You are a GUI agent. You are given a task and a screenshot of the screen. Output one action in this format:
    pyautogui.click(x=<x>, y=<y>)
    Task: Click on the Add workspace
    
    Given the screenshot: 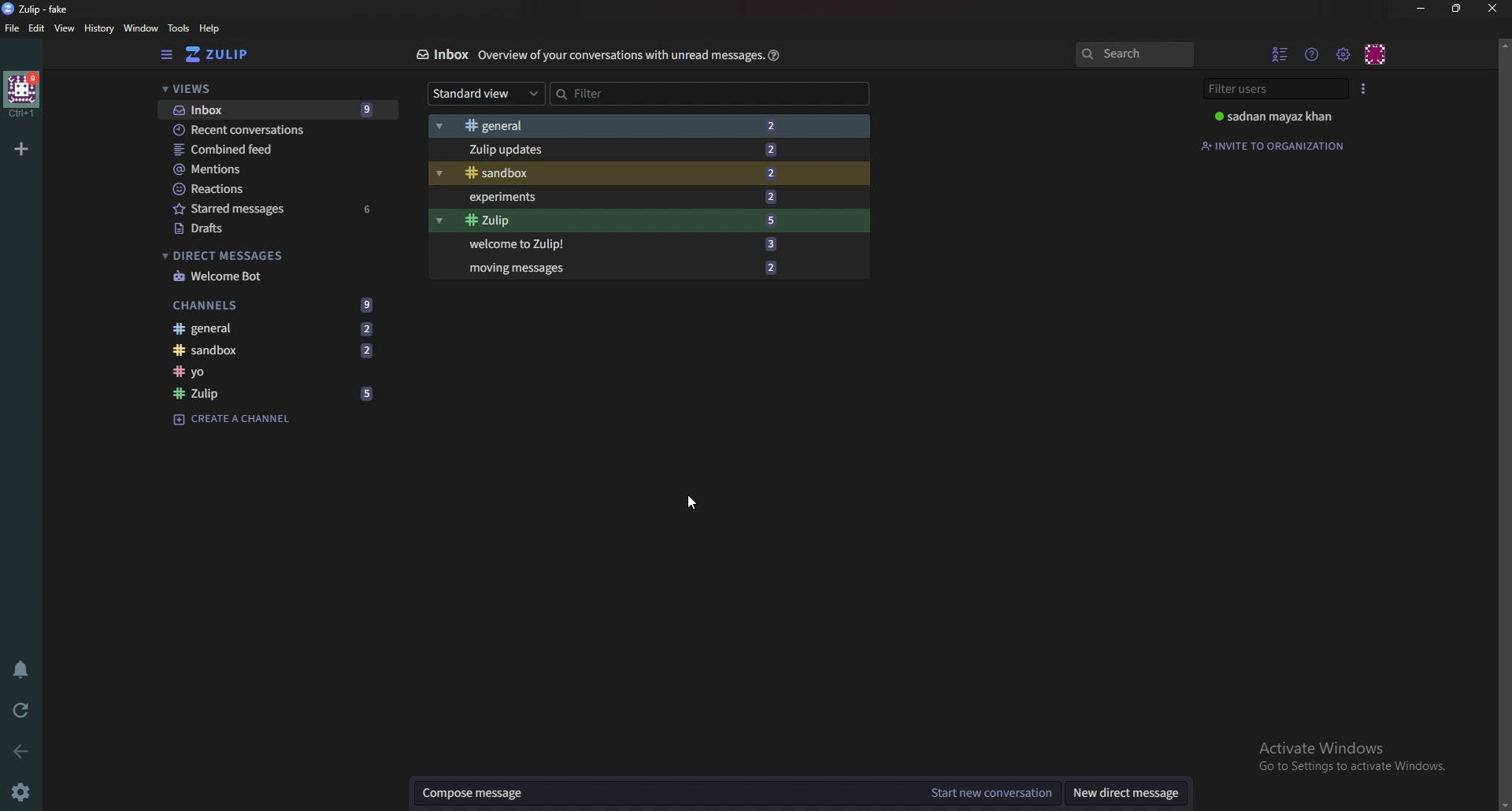 What is the action you would take?
    pyautogui.click(x=24, y=148)
    